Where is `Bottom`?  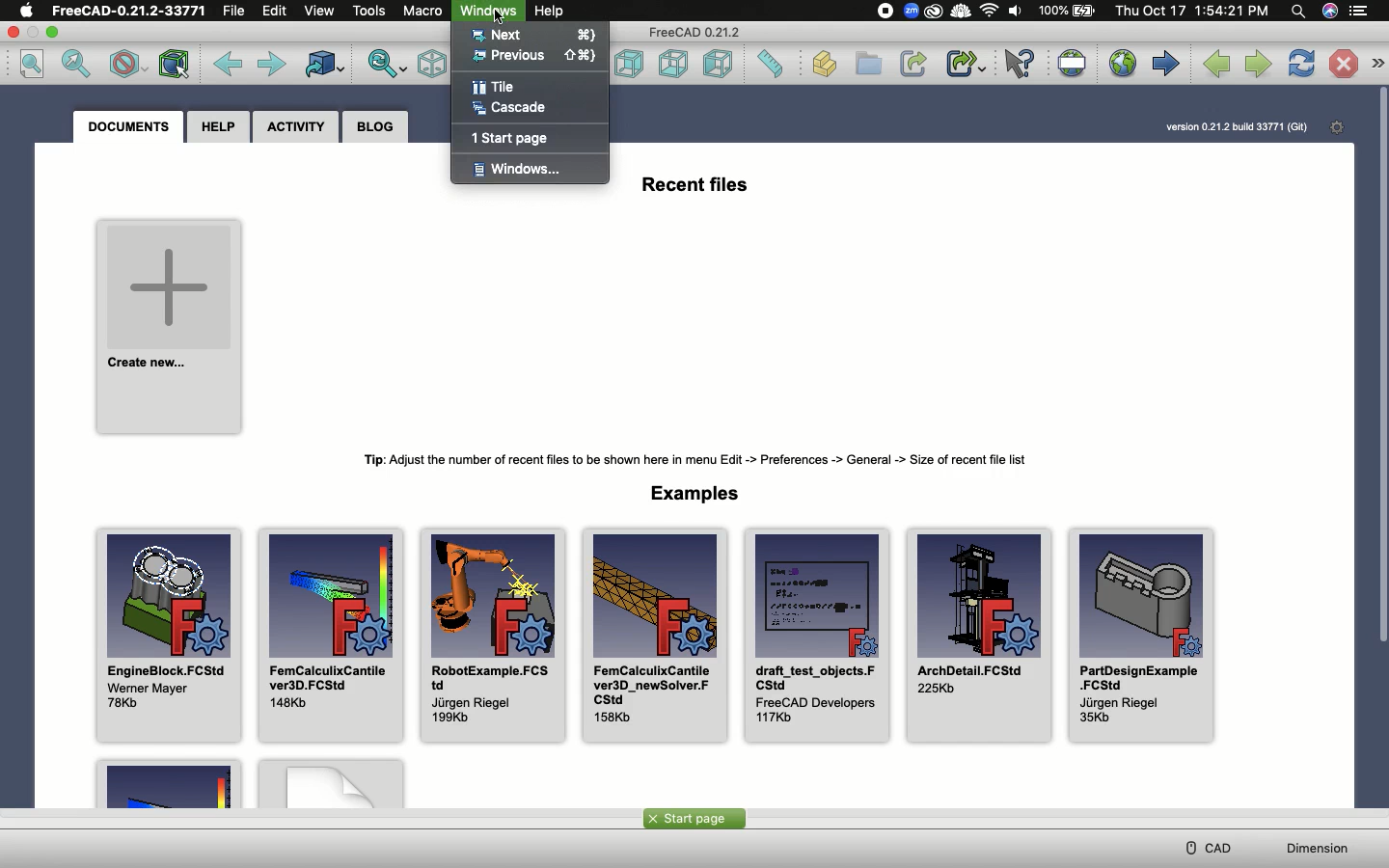
Bottom is located at coordinates (675, 65).